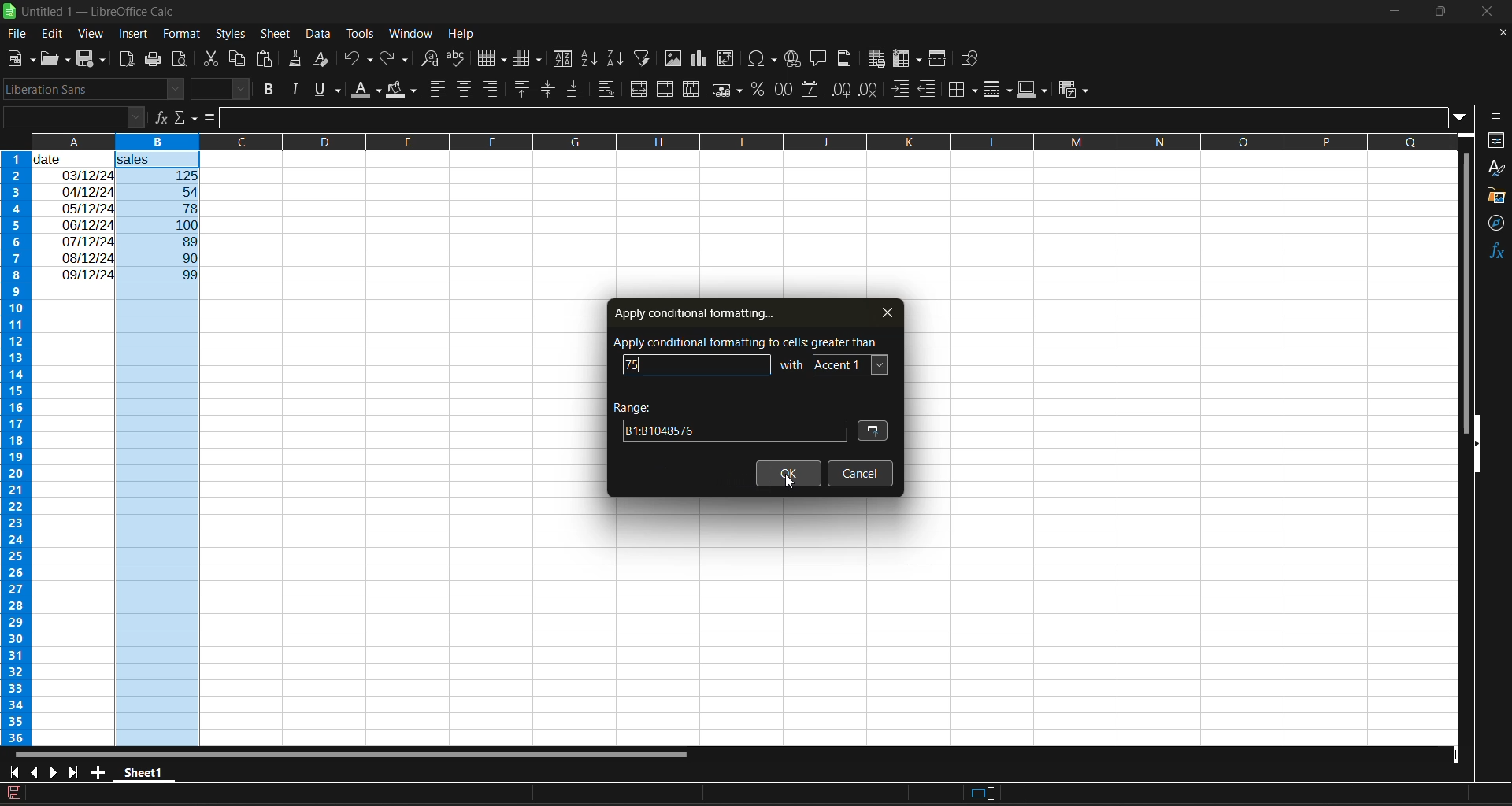  Describe the element at coordinates (54, 60) in the screenshot. I see `open` at that location.